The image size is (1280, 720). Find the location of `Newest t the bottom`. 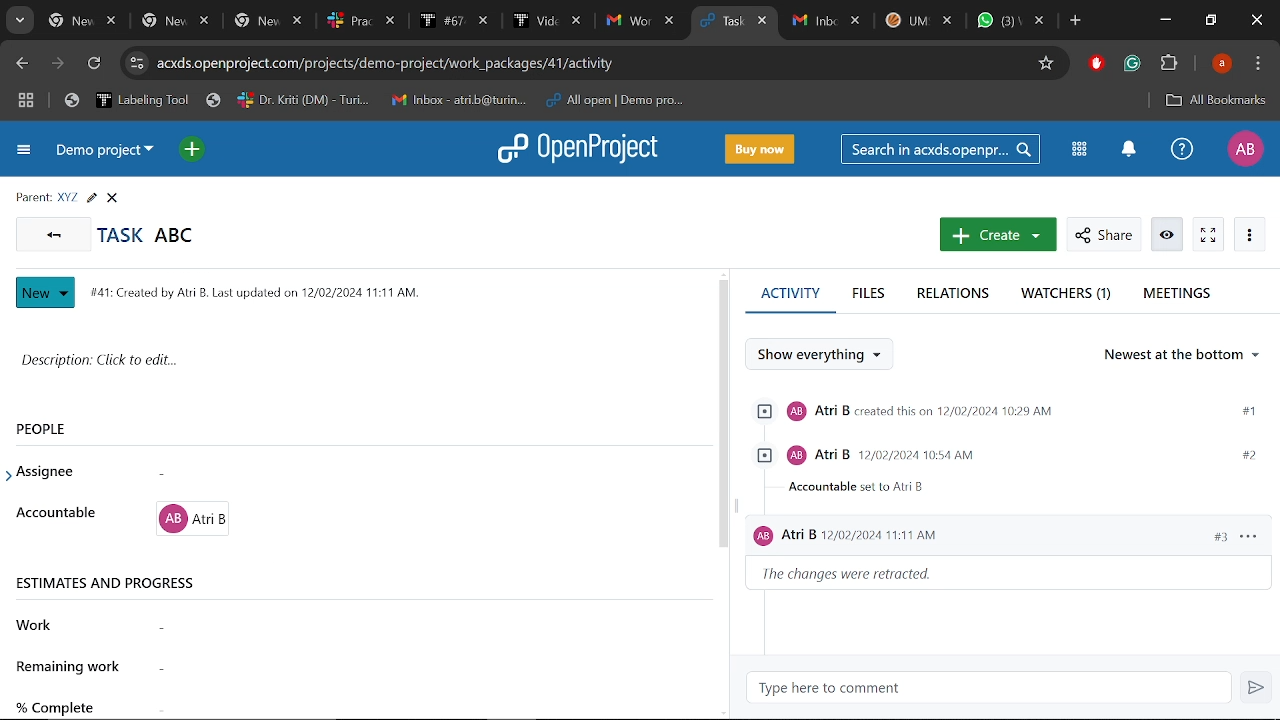

Newest t the bottom is located at coordinates (1183, 359).